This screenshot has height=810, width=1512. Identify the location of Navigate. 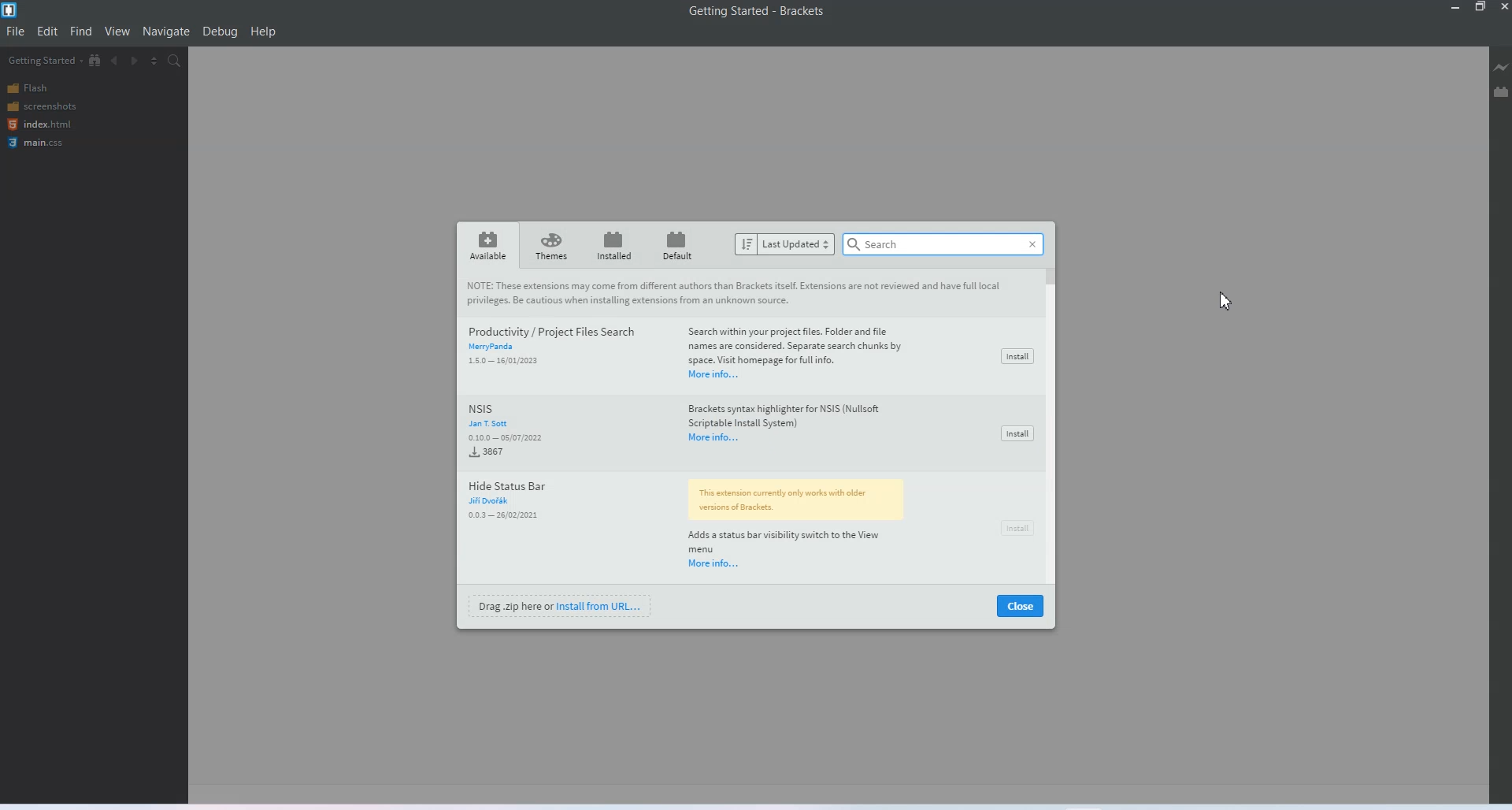
(166, 32).